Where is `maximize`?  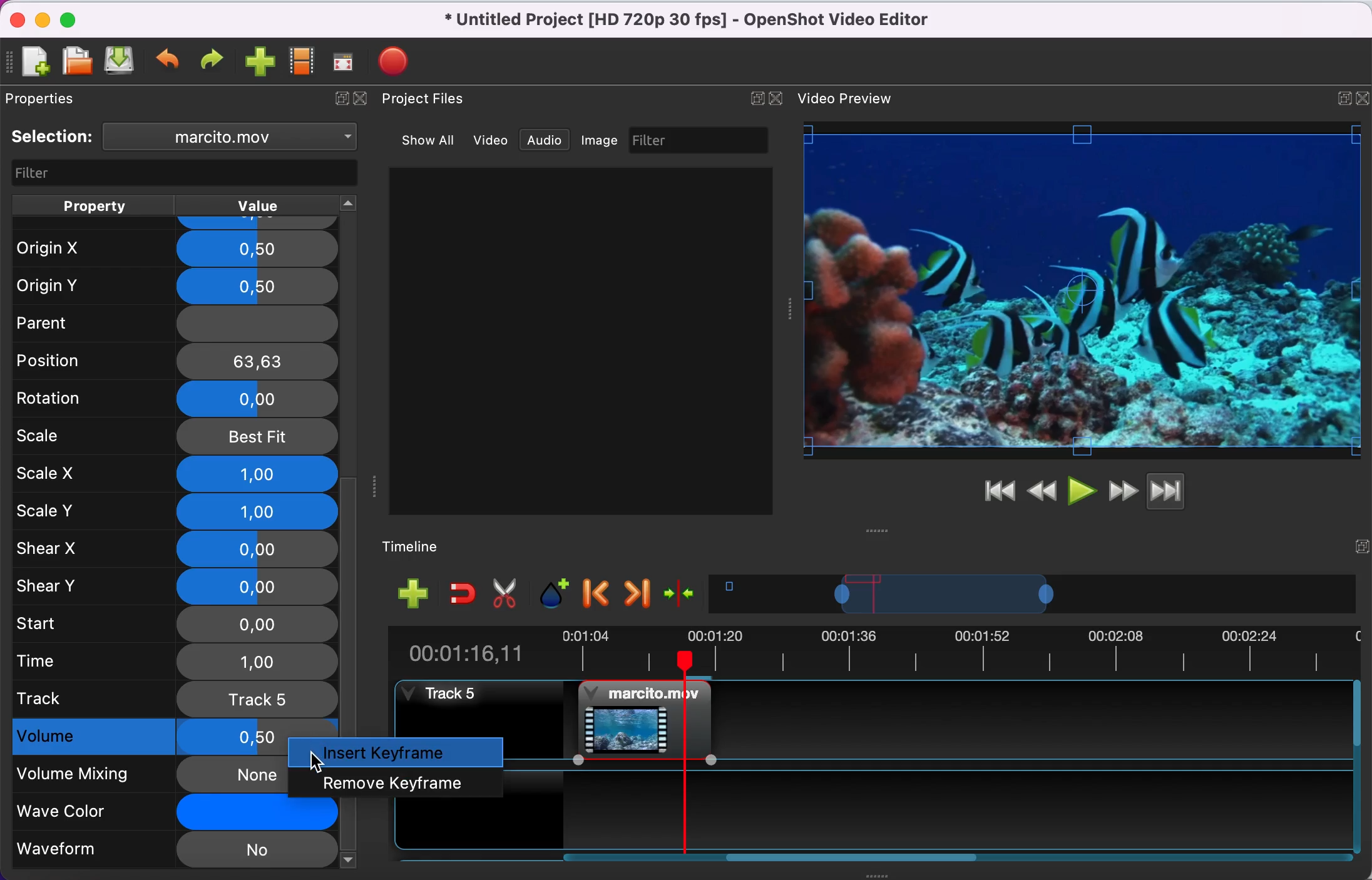 maximize is located at coordinates (1339, 95).